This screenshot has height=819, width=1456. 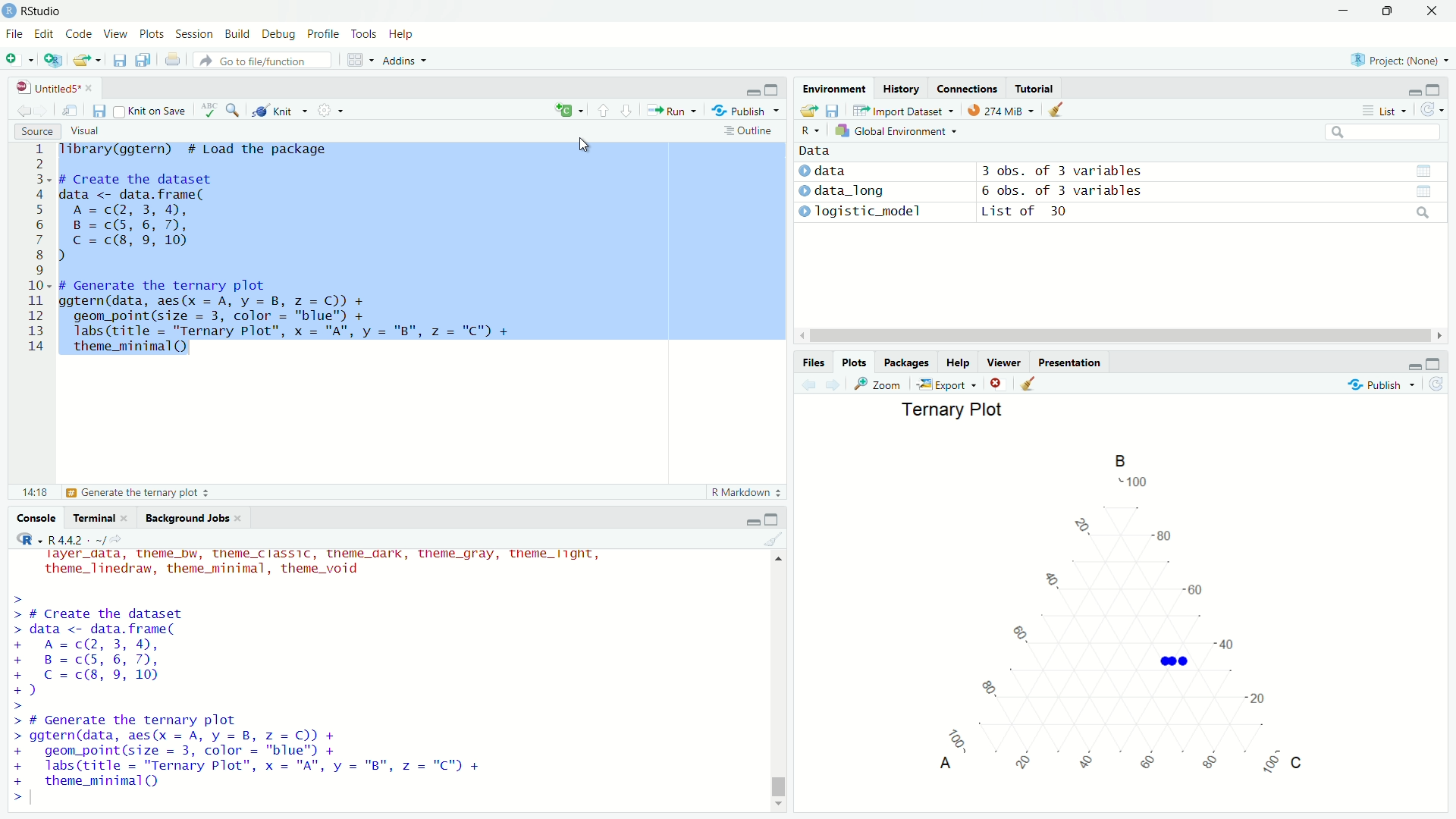 What do you see at coordinates (1028, 196) in the screenshot?
I see `) data 3 obs. of 3 variables
) data_Tong 6 obs. of 3 variables
) Togistic_model List of 30` at bounding box center [1028, 196].